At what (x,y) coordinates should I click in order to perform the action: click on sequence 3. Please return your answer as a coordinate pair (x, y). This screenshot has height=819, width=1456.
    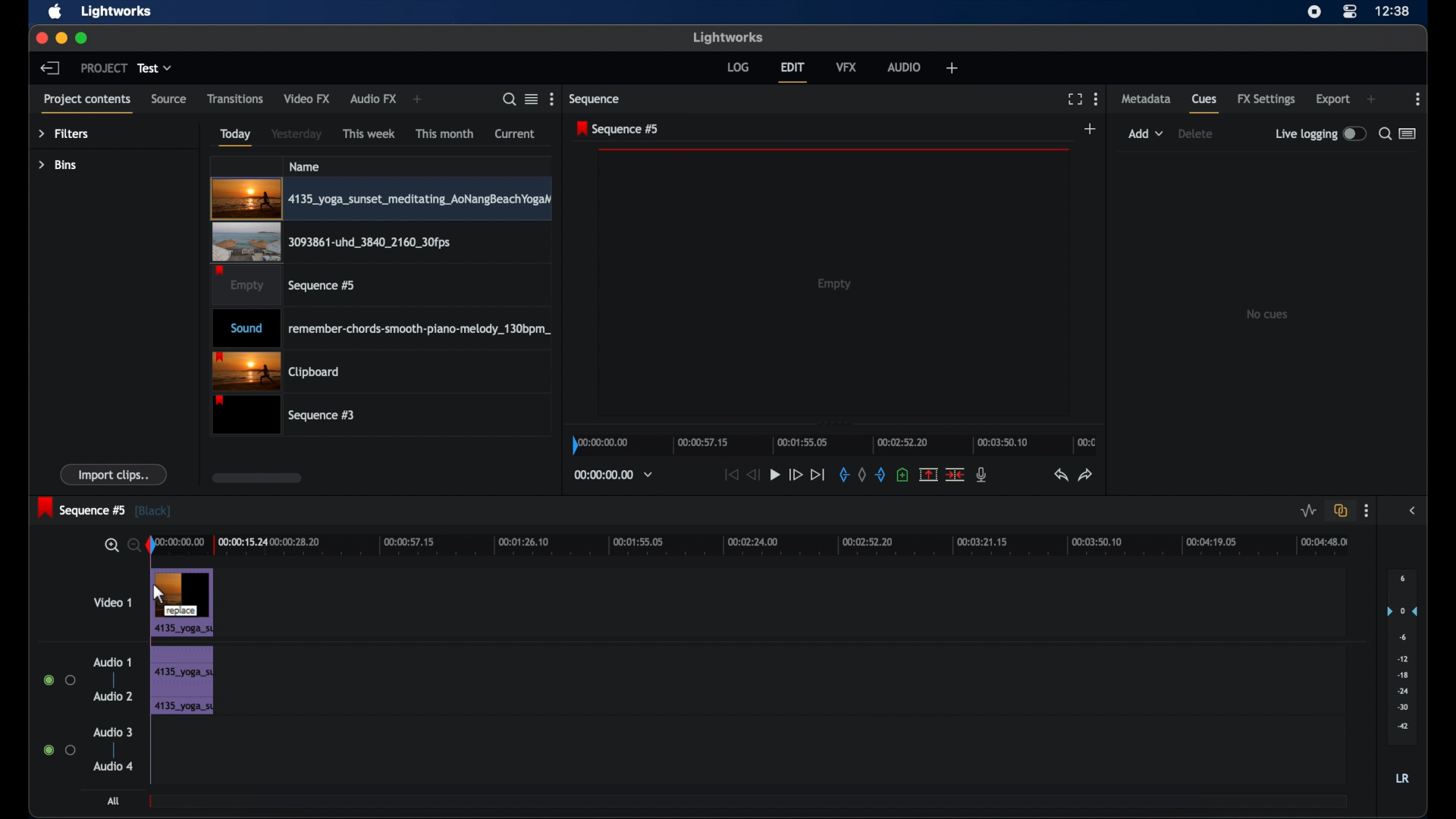
    Looking at the image, I should click on (288, 416).